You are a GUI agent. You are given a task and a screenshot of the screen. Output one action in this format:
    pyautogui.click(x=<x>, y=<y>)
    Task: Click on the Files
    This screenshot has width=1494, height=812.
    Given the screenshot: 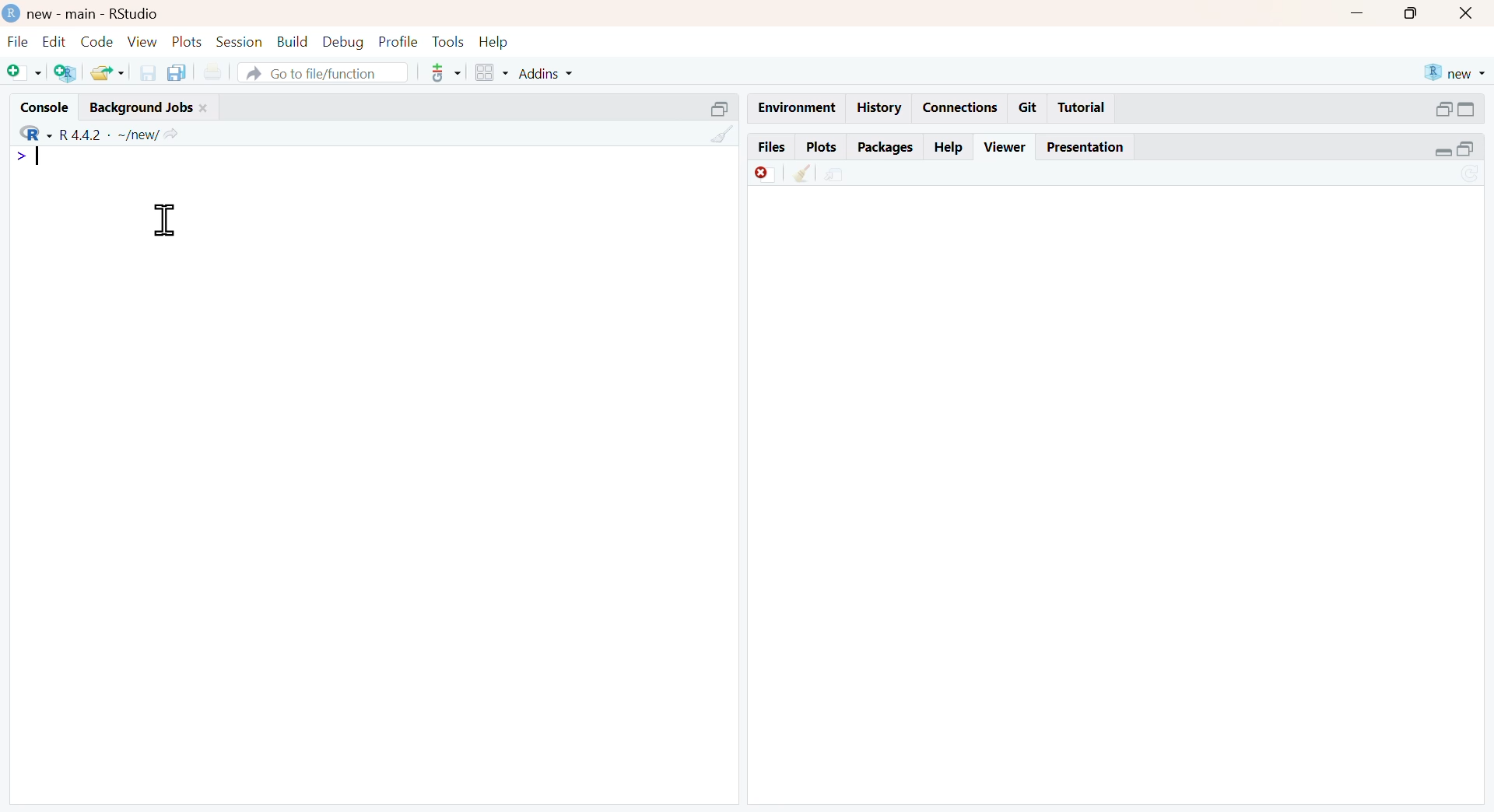 What is the action you would take?
    pyautogui.click(x=772, y=147)
    